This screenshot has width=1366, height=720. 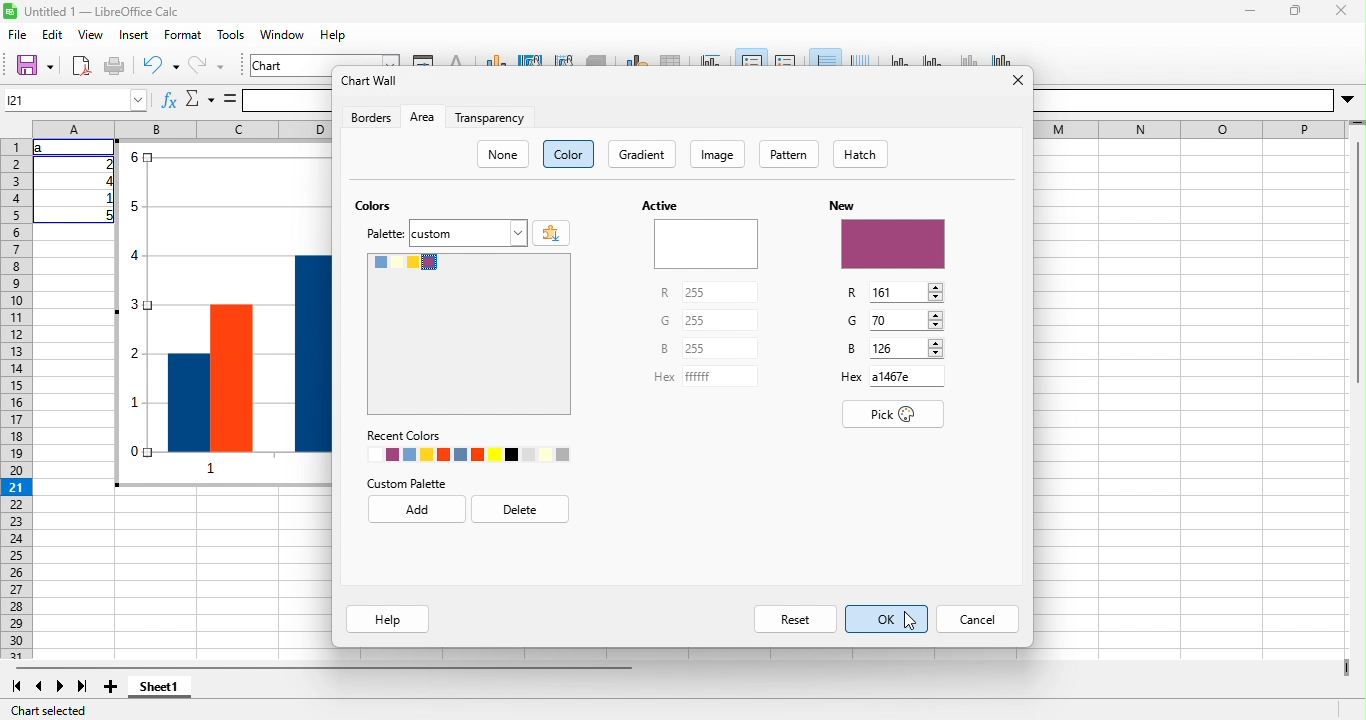 What do you see at coordinates (897, 320) in the screenshot?
I see `Input G value` at bounding box center [897, 320].